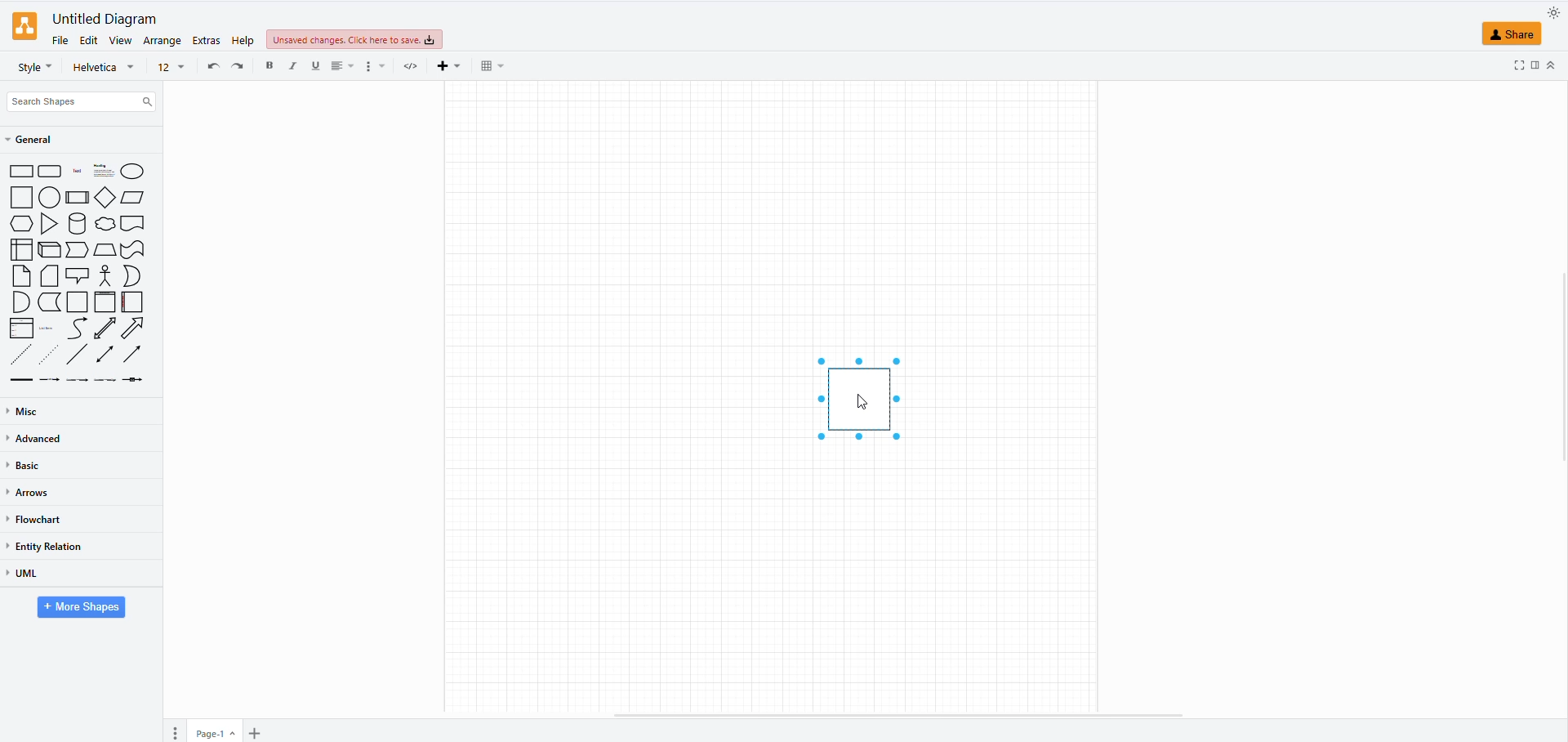  What do you see at coordinates (212, 65) in the screenshot?
I see `undo` at bounding box center [212, 65].